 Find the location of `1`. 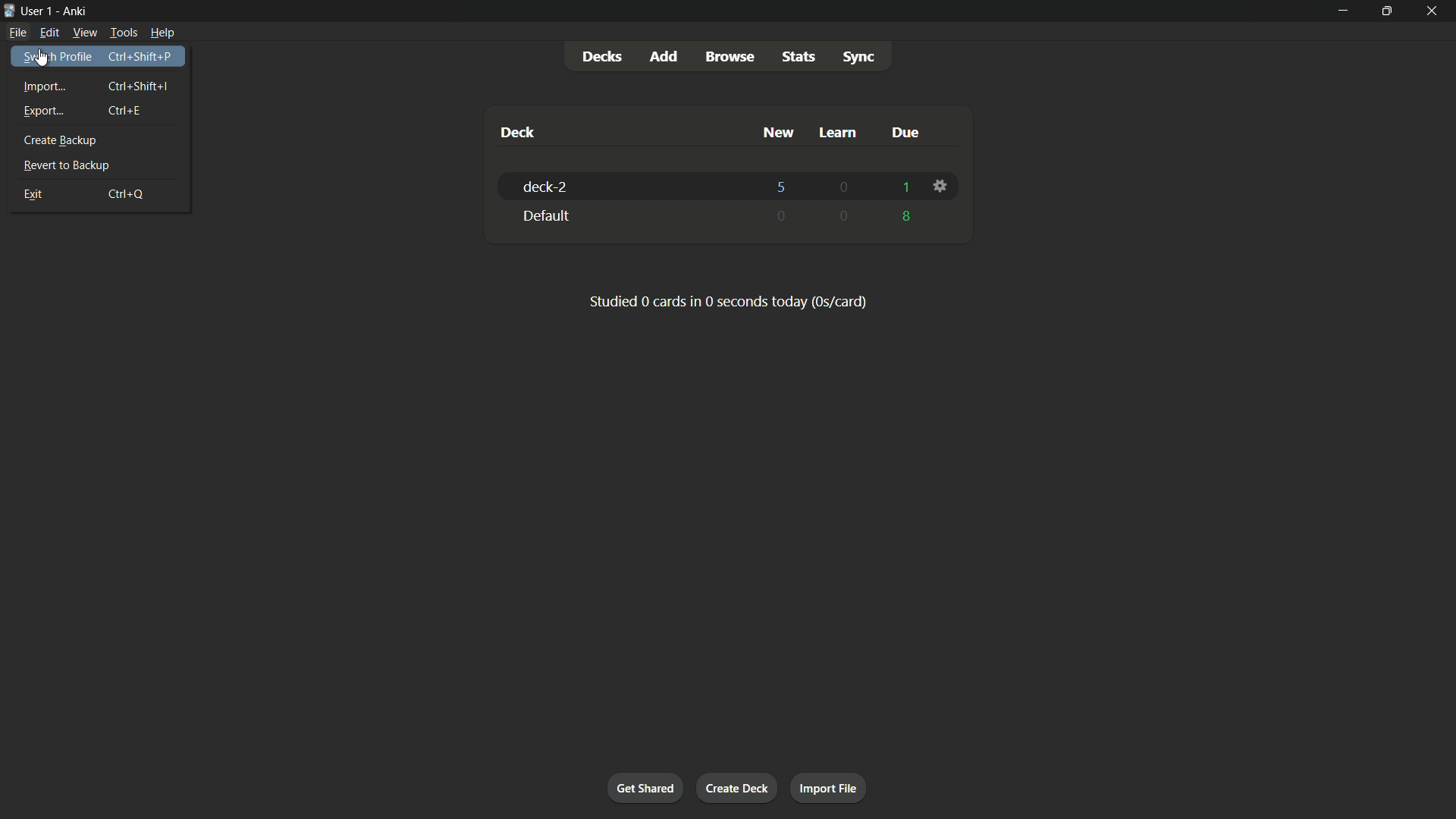

1 is located at coordinates (903, 187).